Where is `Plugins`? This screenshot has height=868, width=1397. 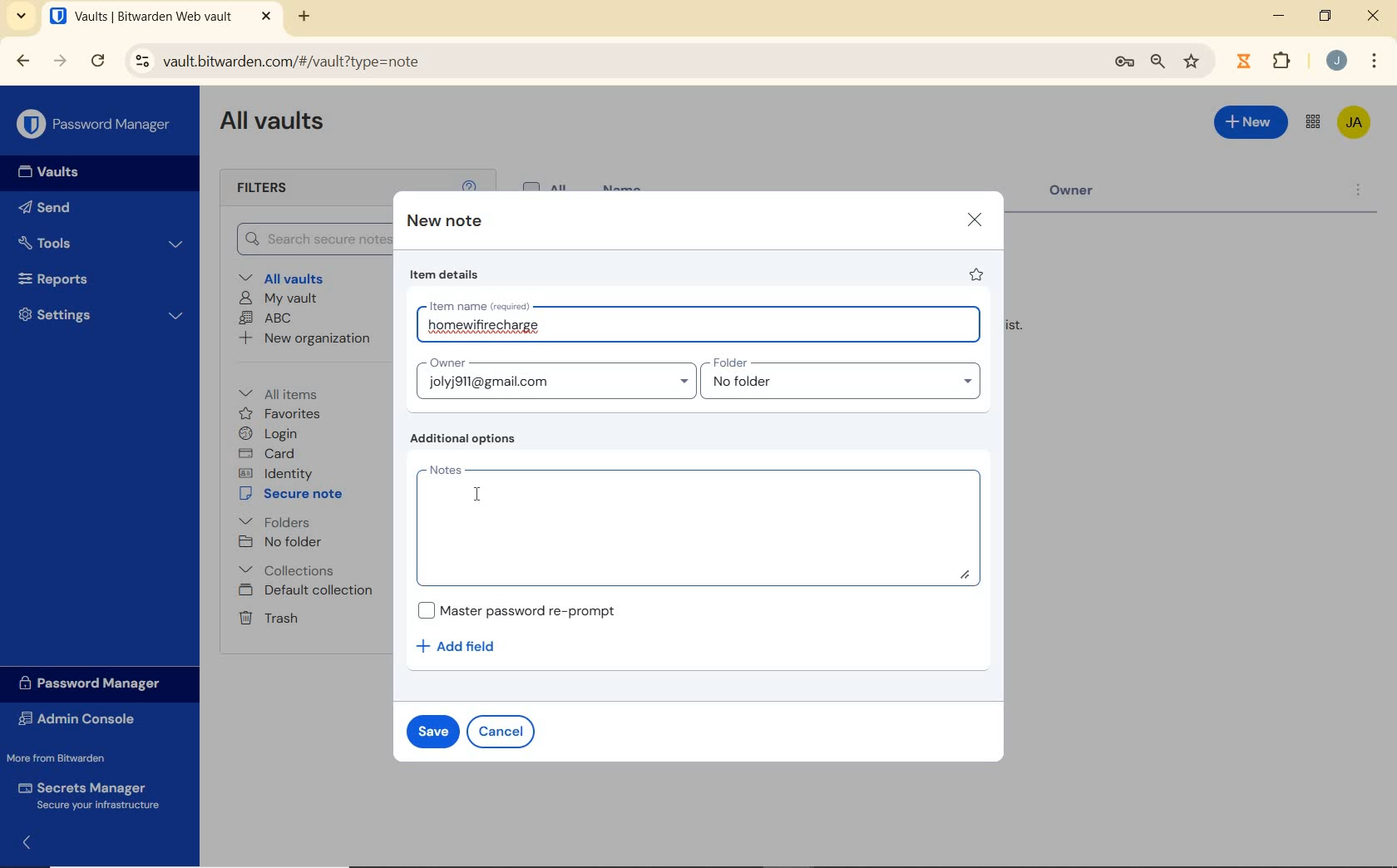
Plugins is located at coordinates (1285, 59).